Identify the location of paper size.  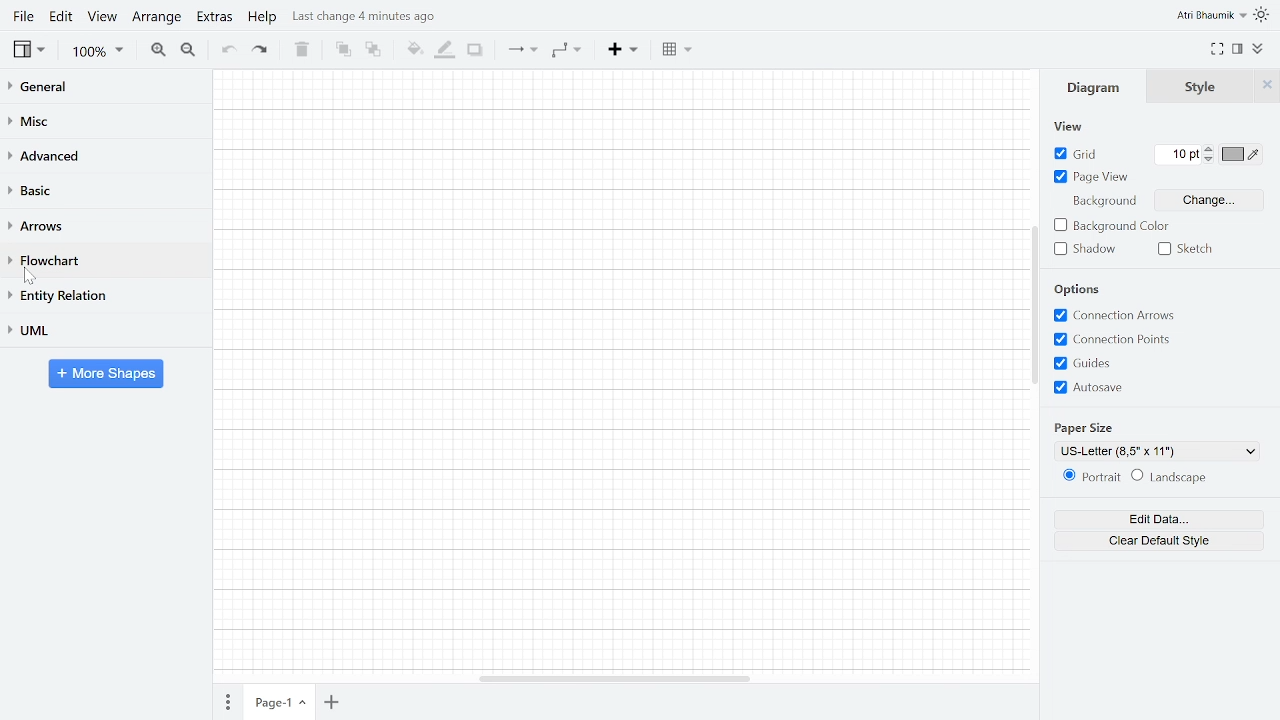
(1090, 426).